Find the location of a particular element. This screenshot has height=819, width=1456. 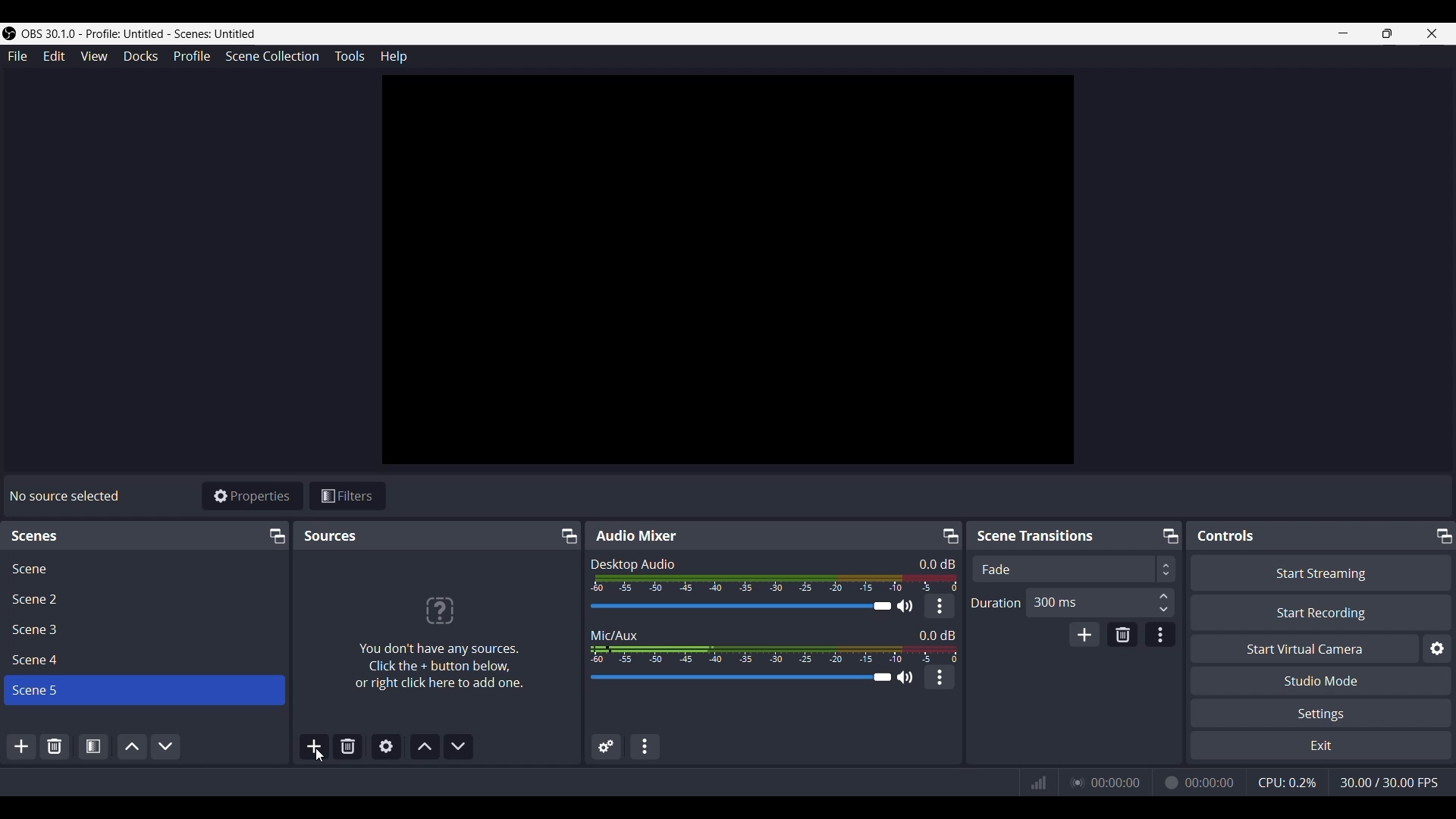

00:00:00 is located at coordinates (1211, 783).